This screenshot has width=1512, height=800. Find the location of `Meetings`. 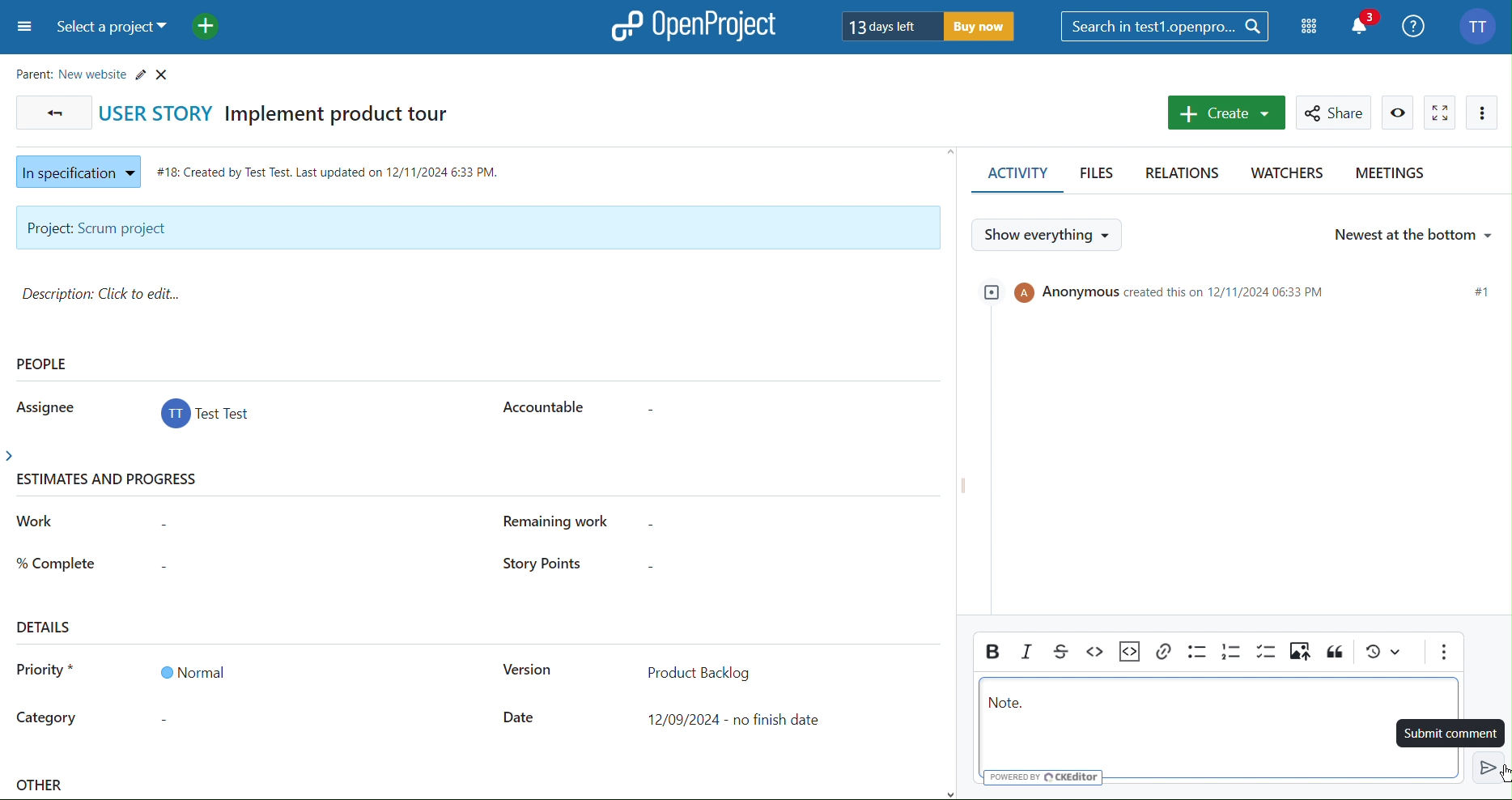

Meetings is located at coordinates (1388, 176).